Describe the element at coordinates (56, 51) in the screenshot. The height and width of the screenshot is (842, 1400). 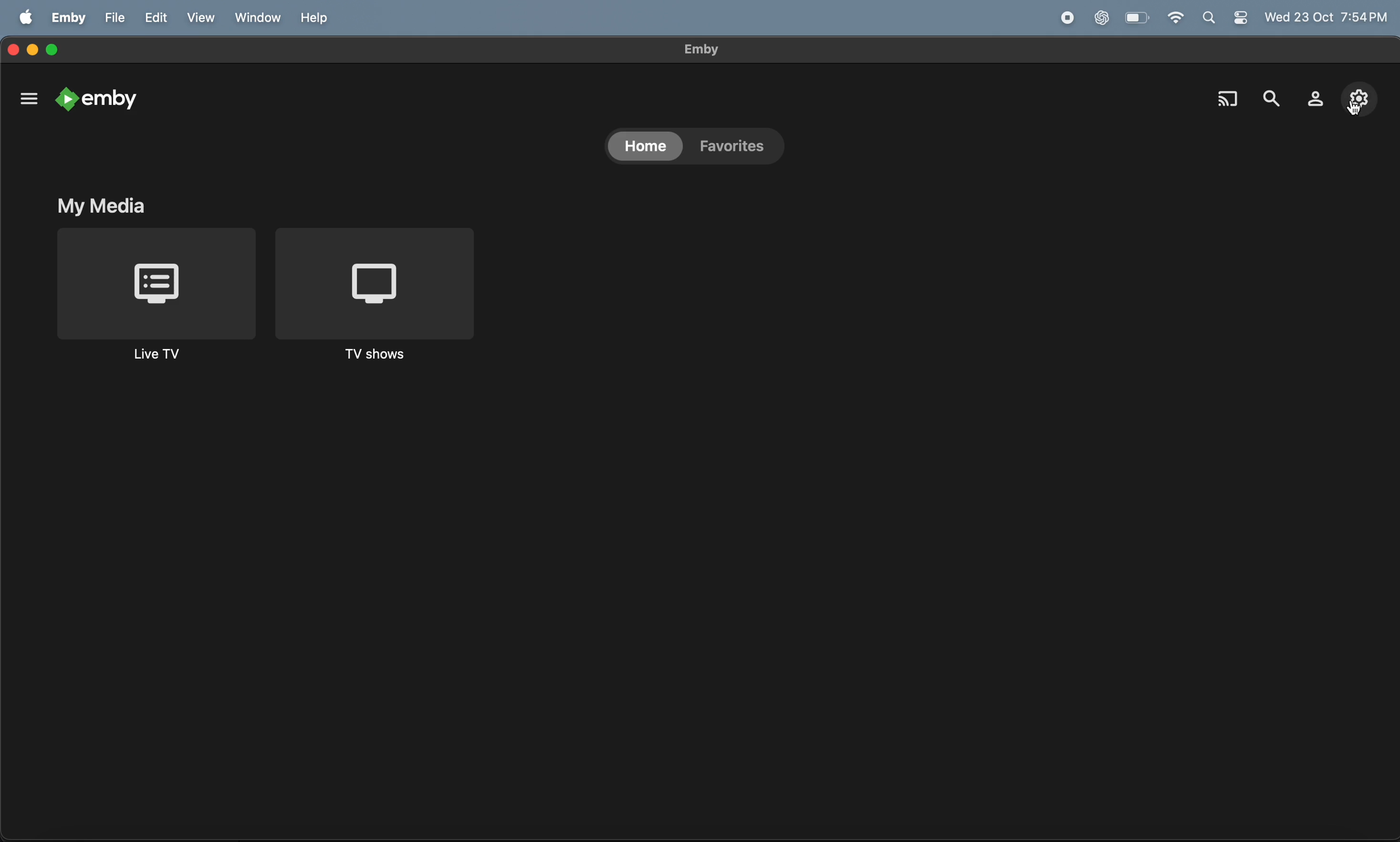
I see `maximize` at that location.